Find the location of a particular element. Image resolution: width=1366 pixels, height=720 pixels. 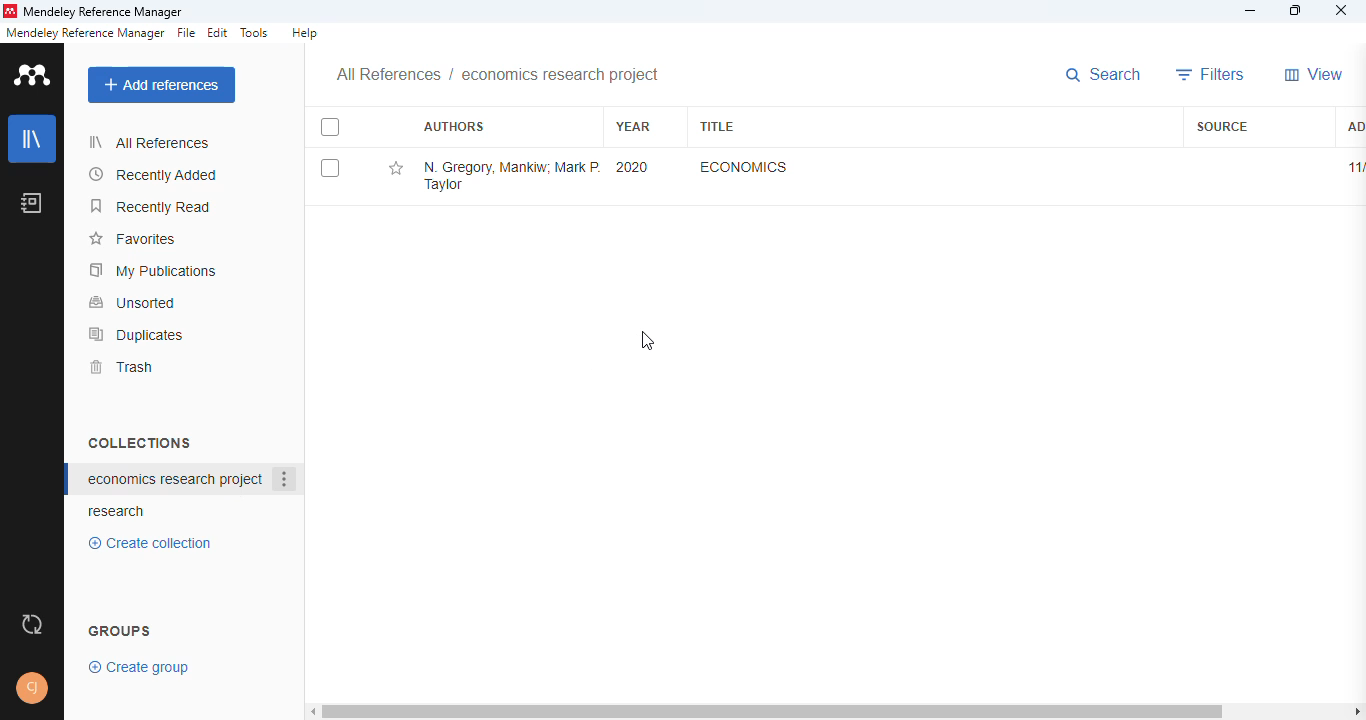

sync is located at coordinates (32, 625).